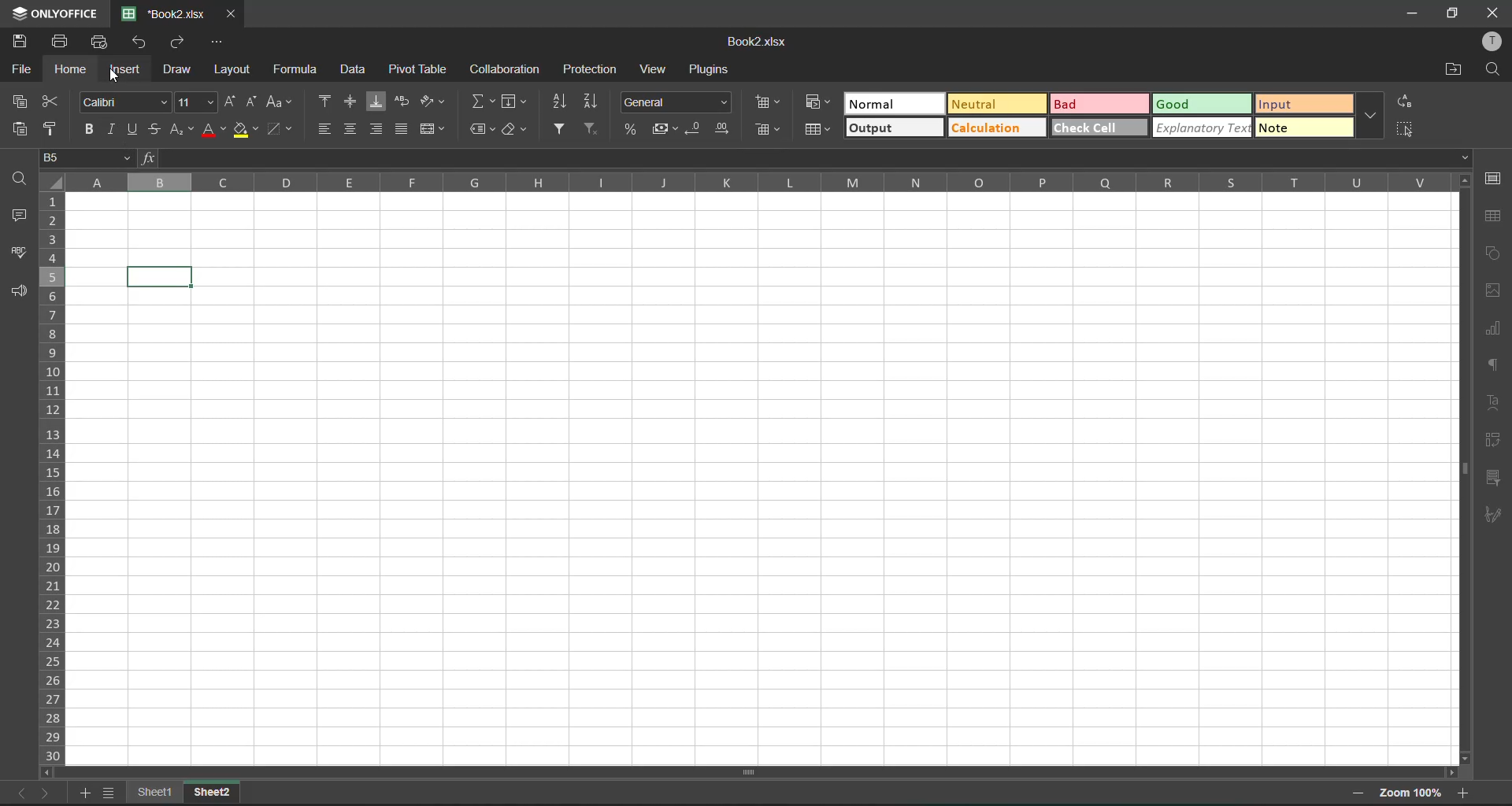 The image size is (1512, 806). I want to click on copy style, so click(57, 128).